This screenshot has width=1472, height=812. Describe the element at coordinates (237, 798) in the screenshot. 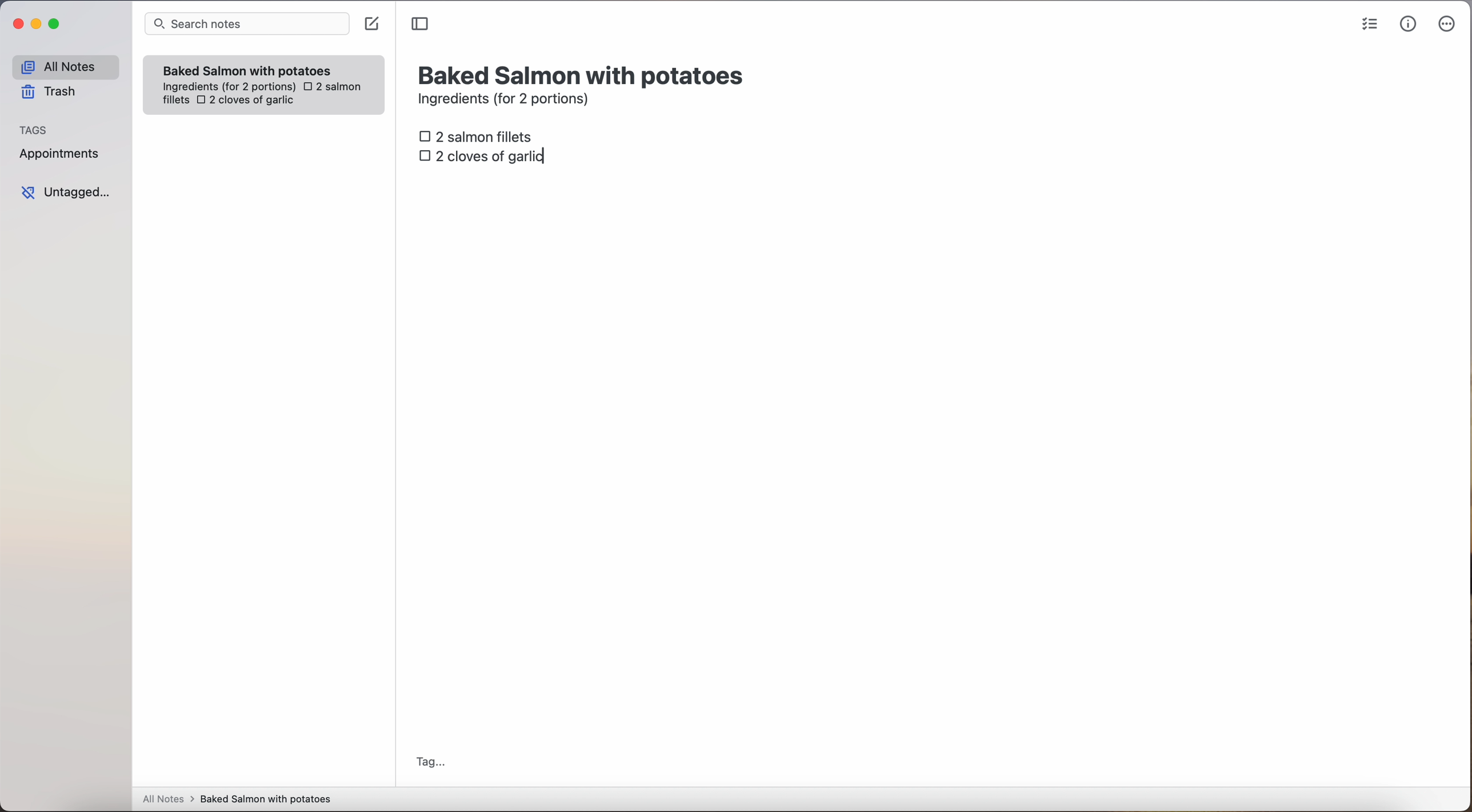

I see `all notes > baked Salmon with potatoes` at that location.